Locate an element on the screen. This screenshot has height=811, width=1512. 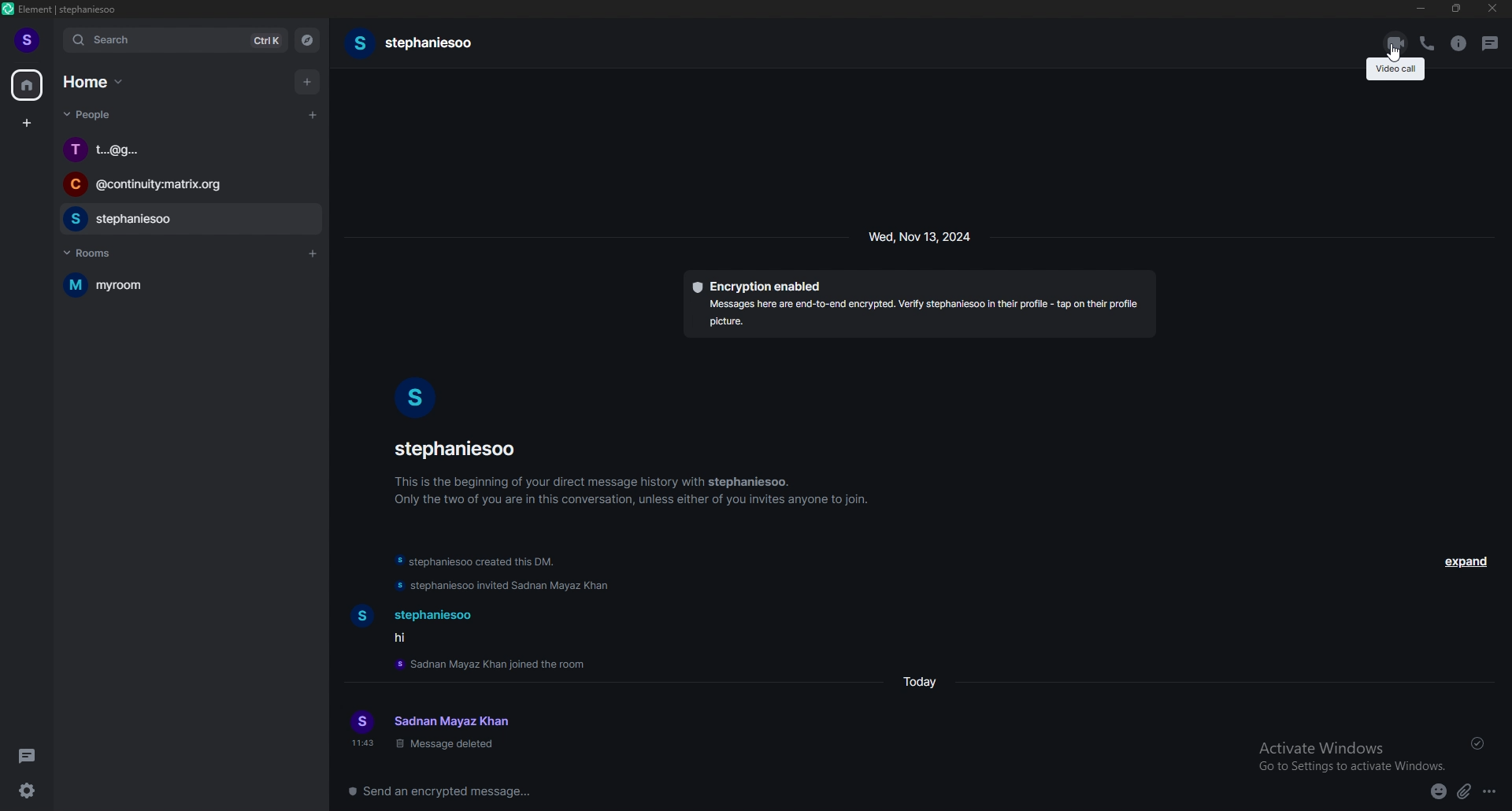
threads is located at coordinates (1490, 43).